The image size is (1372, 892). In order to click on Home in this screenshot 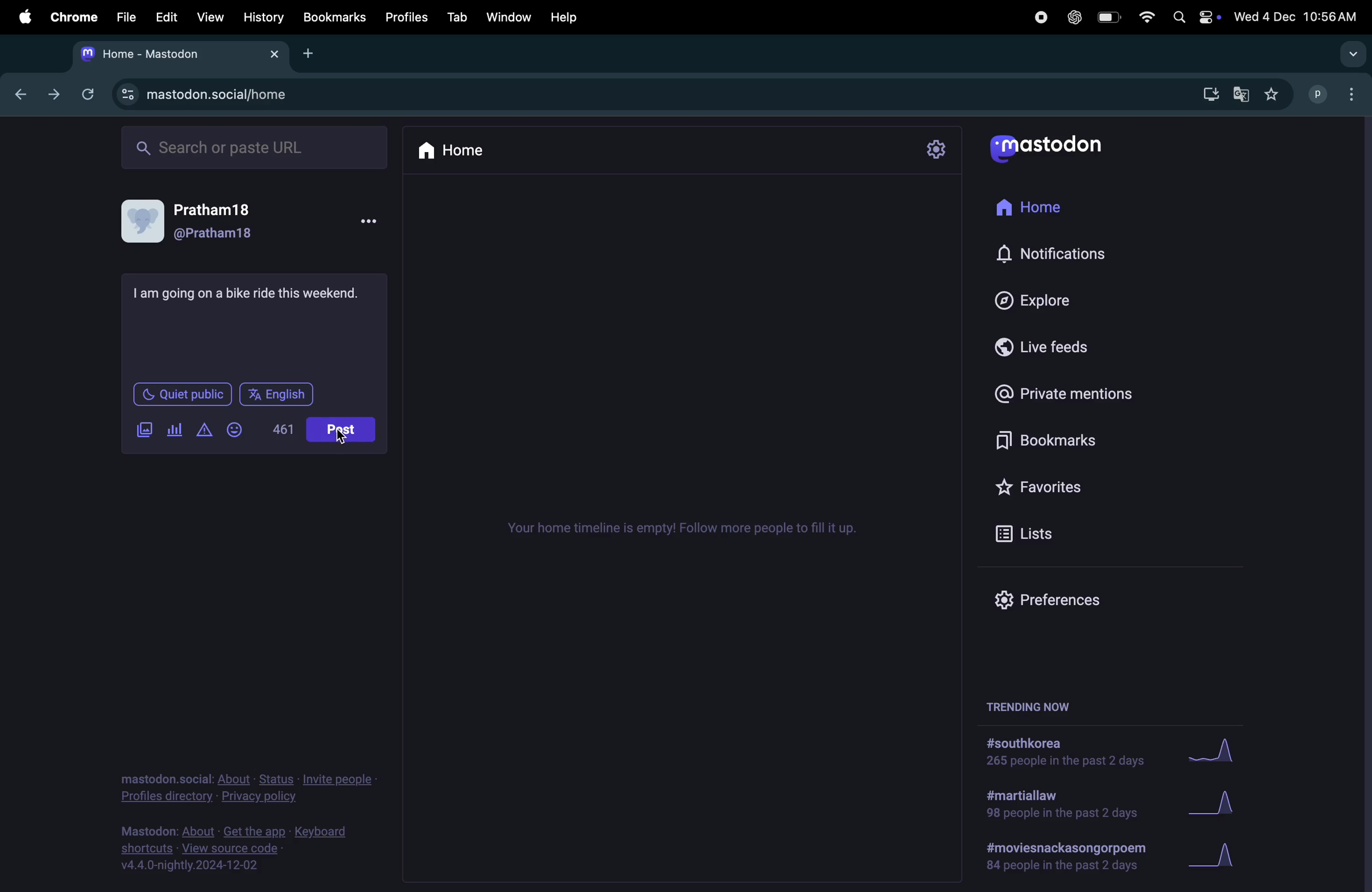, I will do `click(451, 149)`.